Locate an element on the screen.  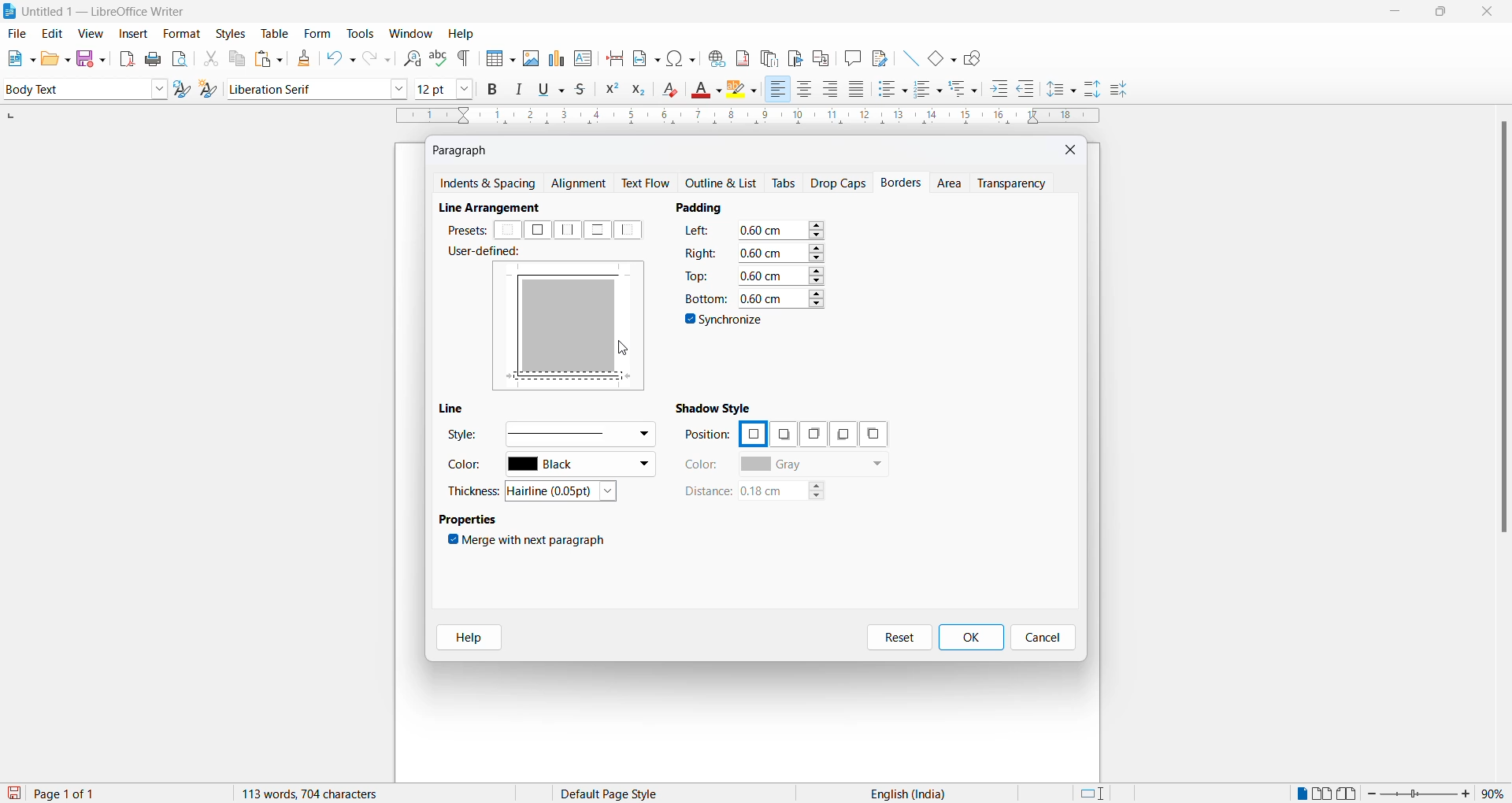
right and left is located at coordinates (569, 230).